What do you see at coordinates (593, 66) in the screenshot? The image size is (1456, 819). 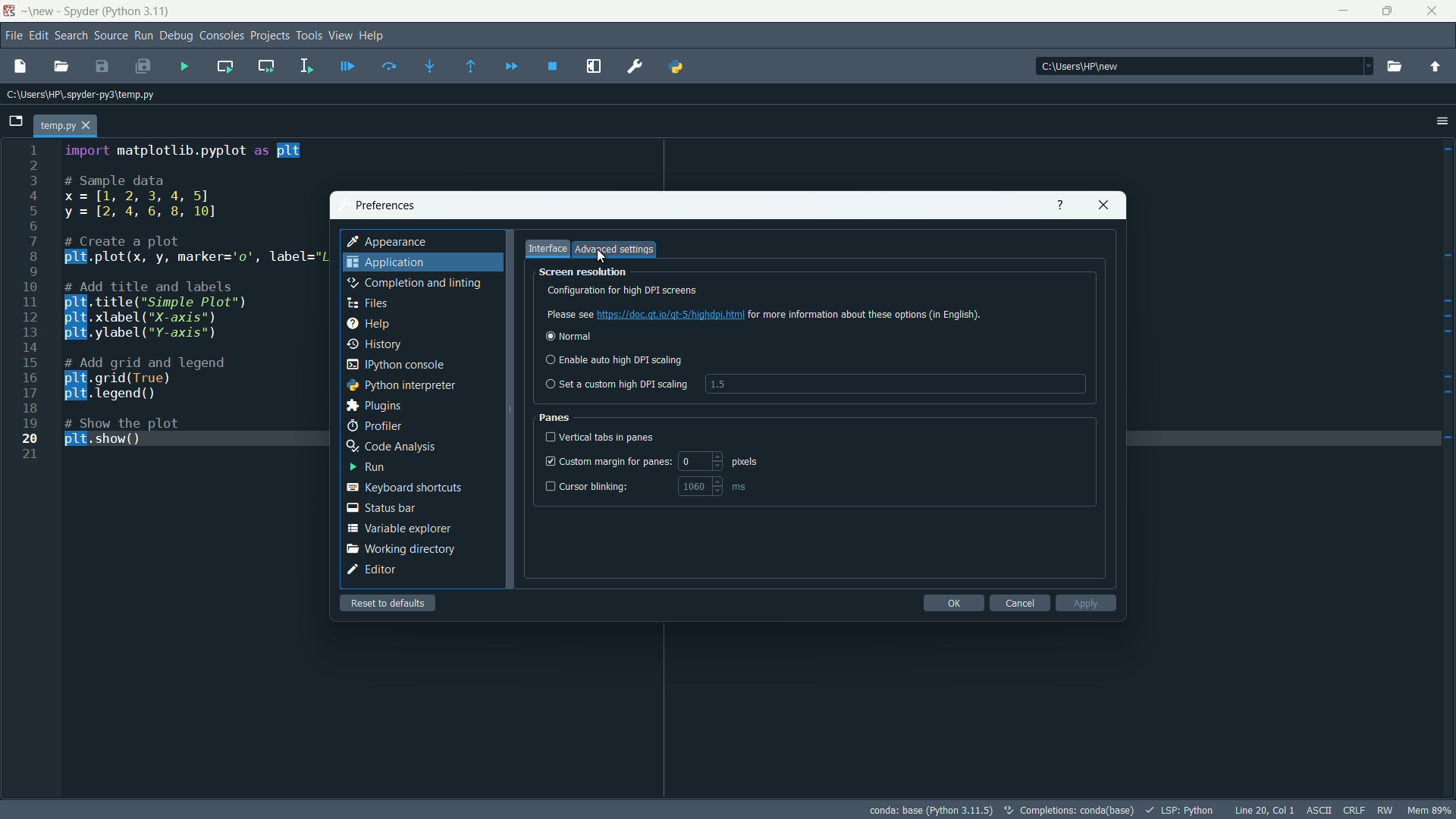 I see `maximize current pane` at bounding box center [593, 66].